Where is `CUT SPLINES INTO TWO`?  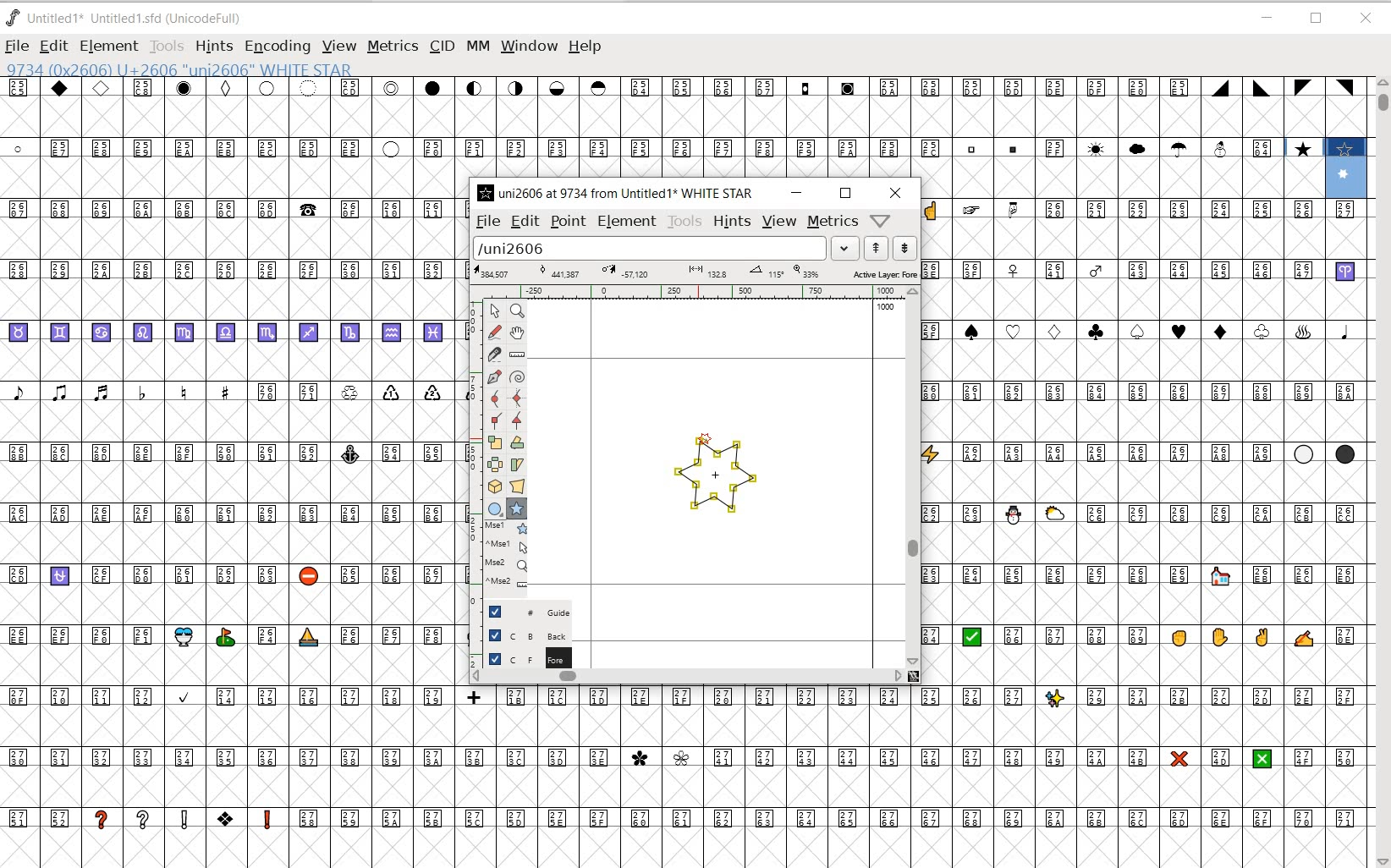 CUT SPLINES INTO TWO is located at coordinates (495, 354).